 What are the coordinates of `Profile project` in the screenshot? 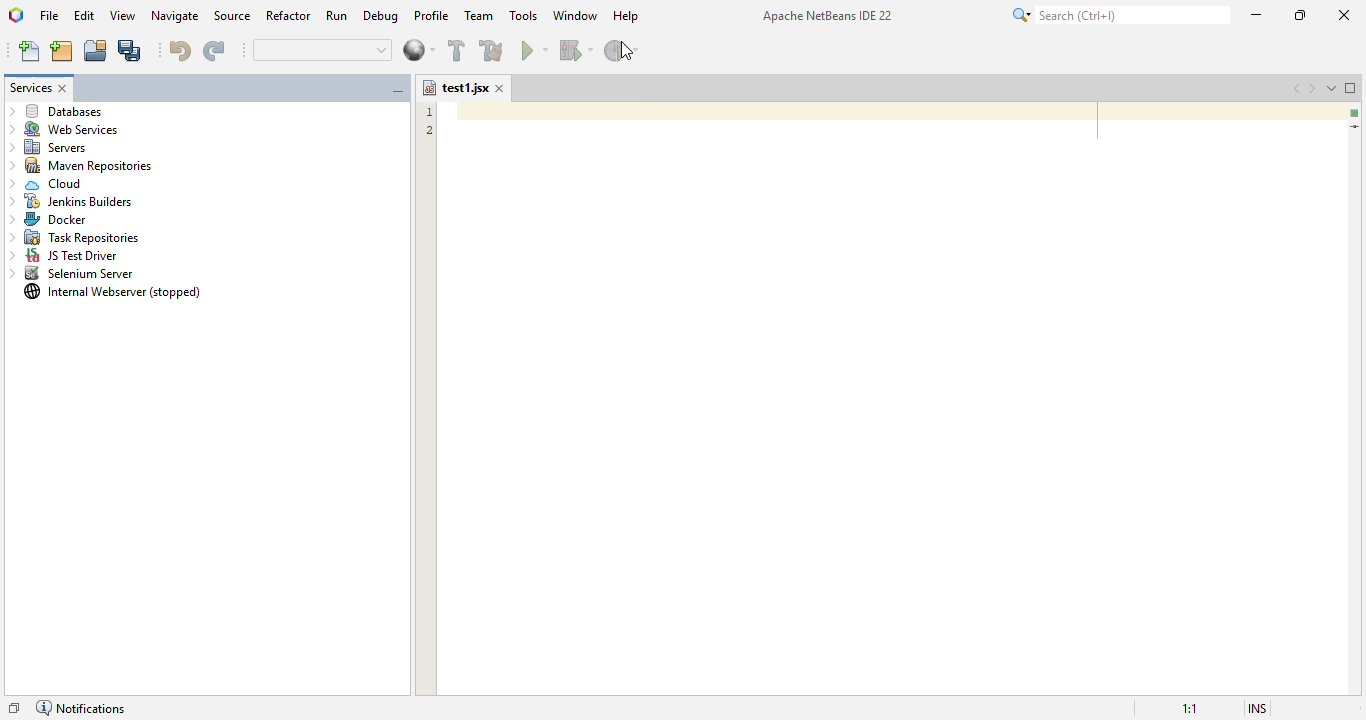 It's located at (623, 52).